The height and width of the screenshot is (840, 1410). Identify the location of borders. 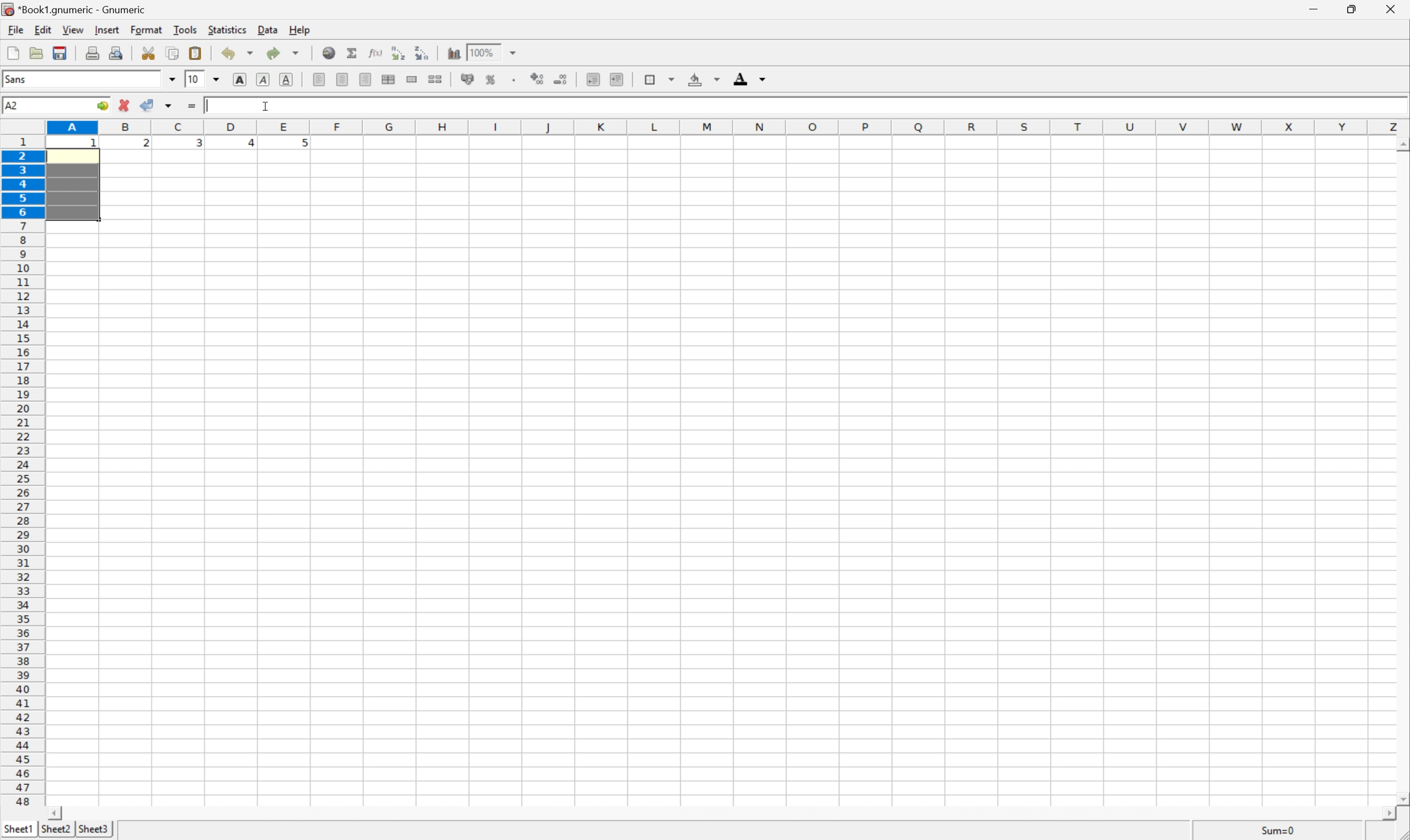
(660, 78).